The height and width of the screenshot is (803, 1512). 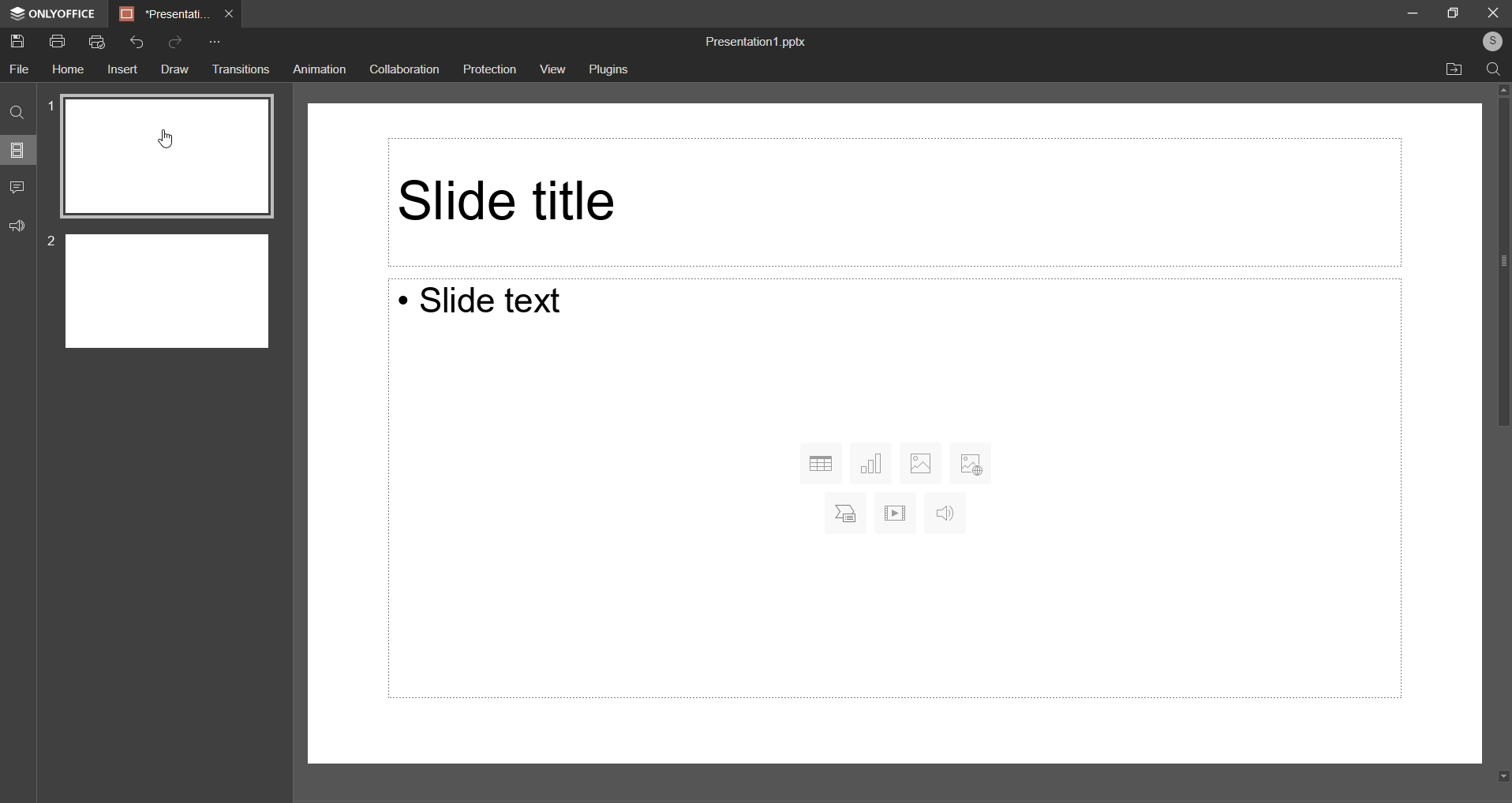 What do you see at coordinates (408, 70) in the screenshot?
I see `Collaboration` at bounding box center [408, 70].